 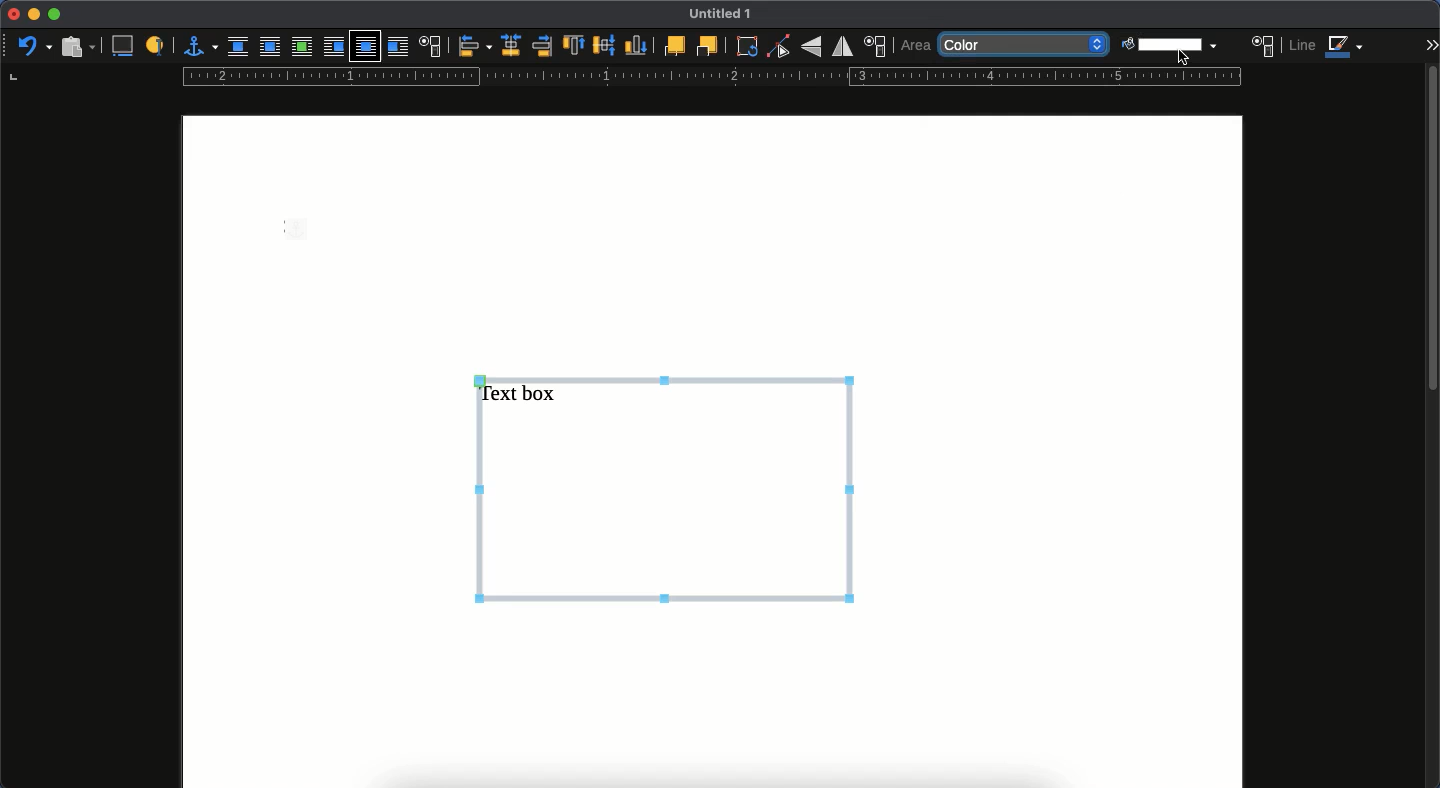 I want to click on right, so click(x=541, y=47).